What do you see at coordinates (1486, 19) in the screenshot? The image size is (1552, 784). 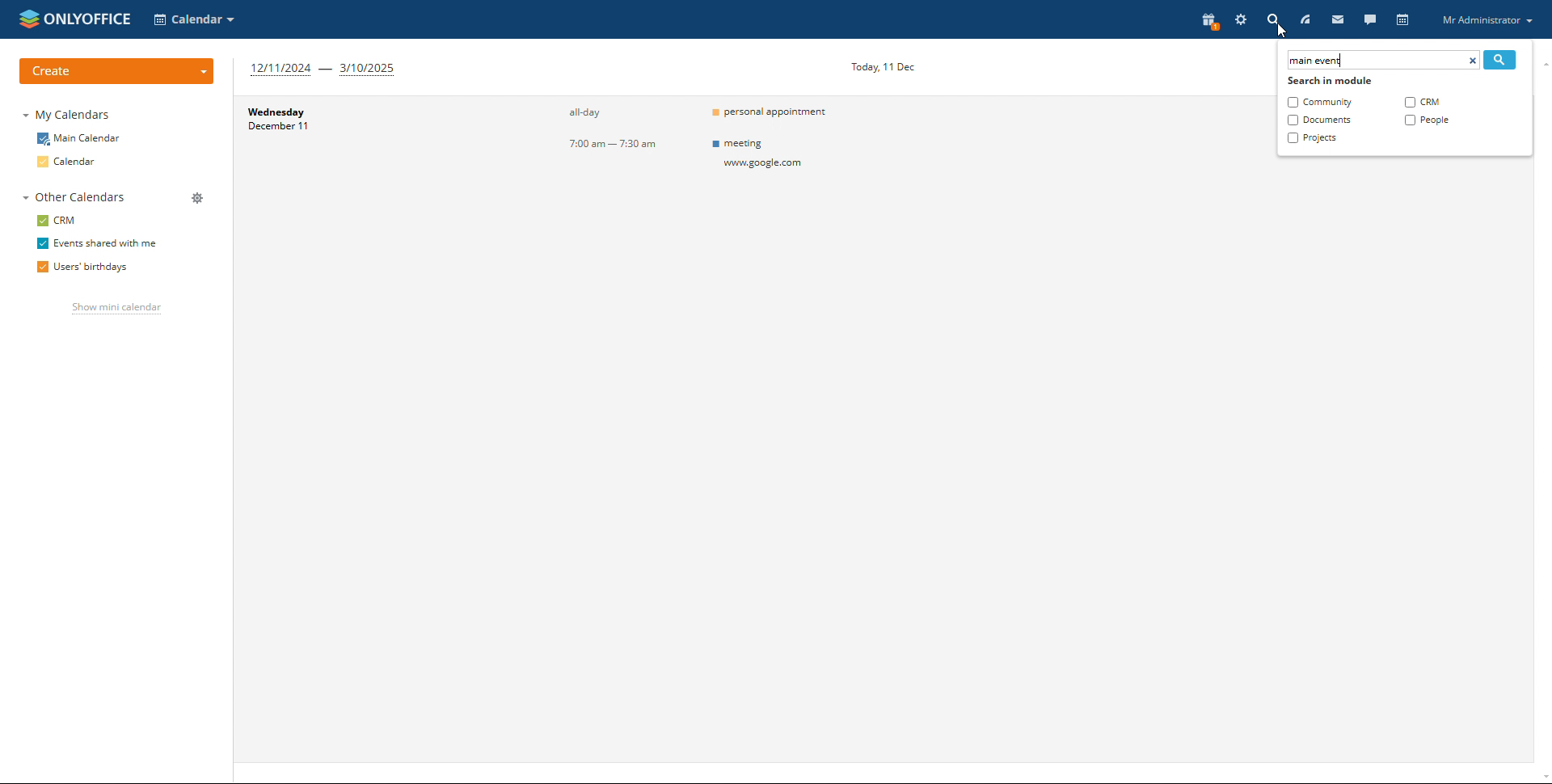 I see `profile` at bounding box center [1486, 19].